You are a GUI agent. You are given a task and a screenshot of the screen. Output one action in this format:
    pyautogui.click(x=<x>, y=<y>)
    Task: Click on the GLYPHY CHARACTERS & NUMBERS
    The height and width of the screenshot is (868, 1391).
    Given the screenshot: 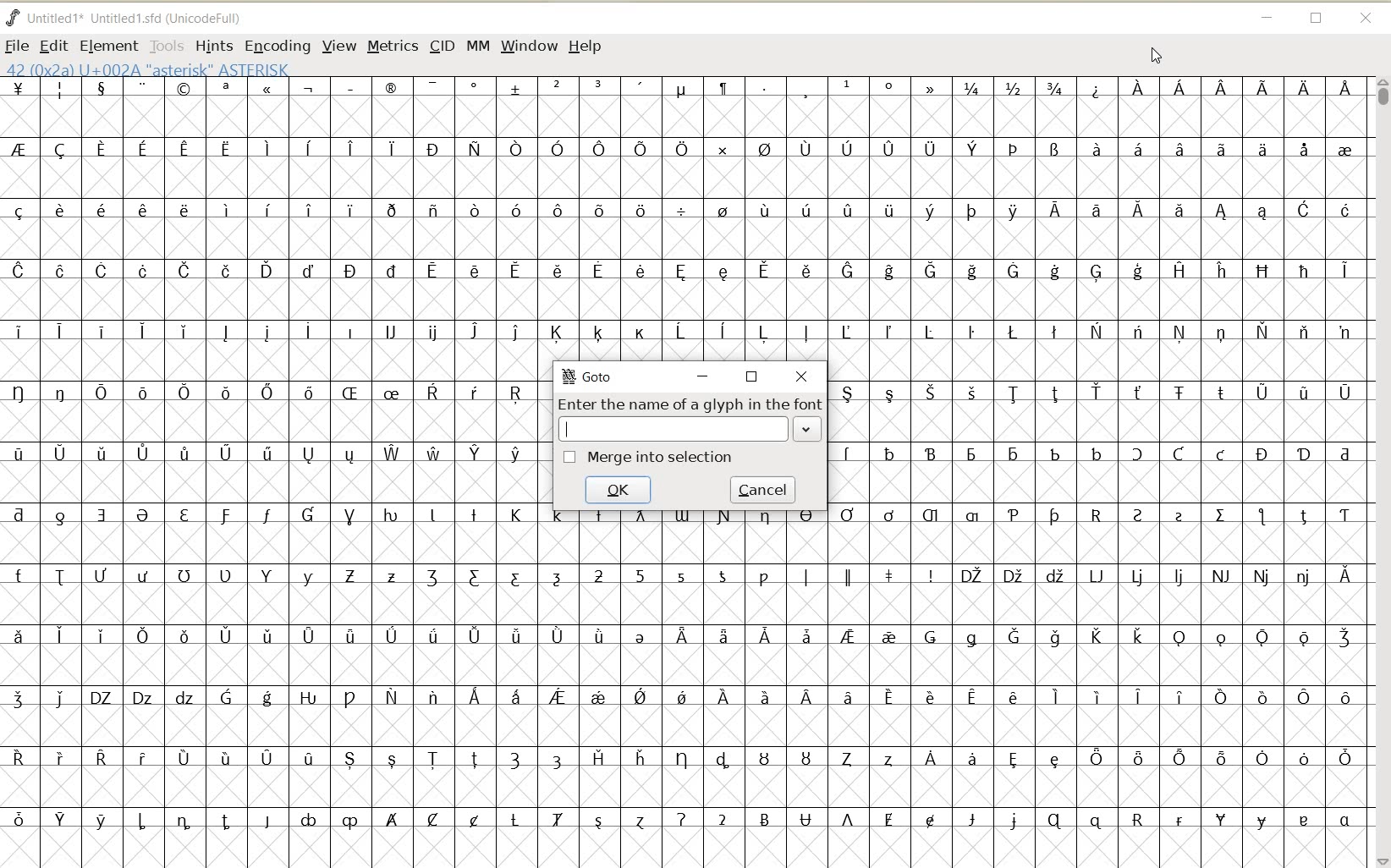 What is the action you would take?
    pyautogui.click(x=1096, y=615)
    